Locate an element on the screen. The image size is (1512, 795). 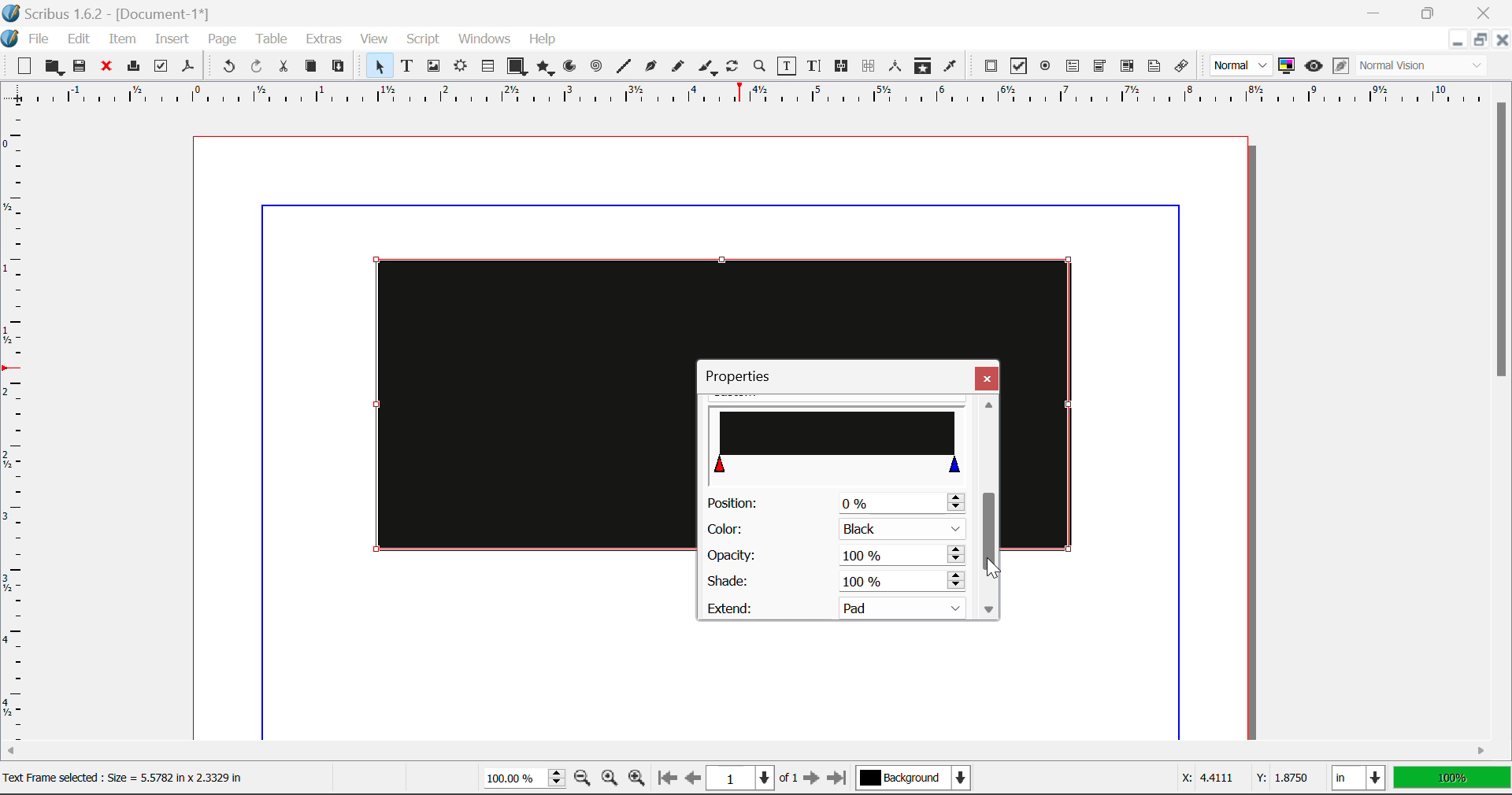
Properties is located at coordinates (747, 376).